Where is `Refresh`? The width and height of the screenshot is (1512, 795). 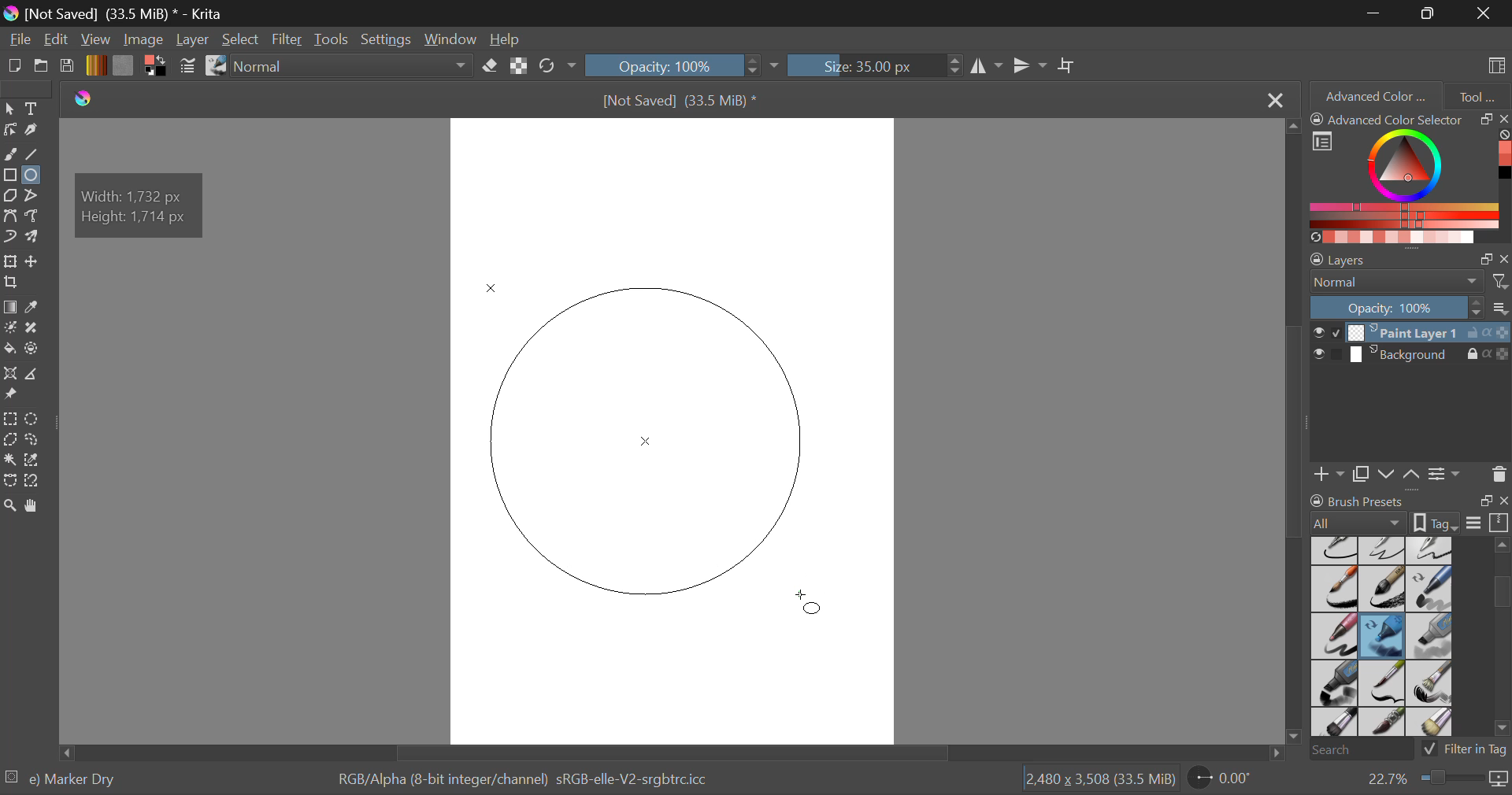 Refresh is located at coordinates (551, 67).